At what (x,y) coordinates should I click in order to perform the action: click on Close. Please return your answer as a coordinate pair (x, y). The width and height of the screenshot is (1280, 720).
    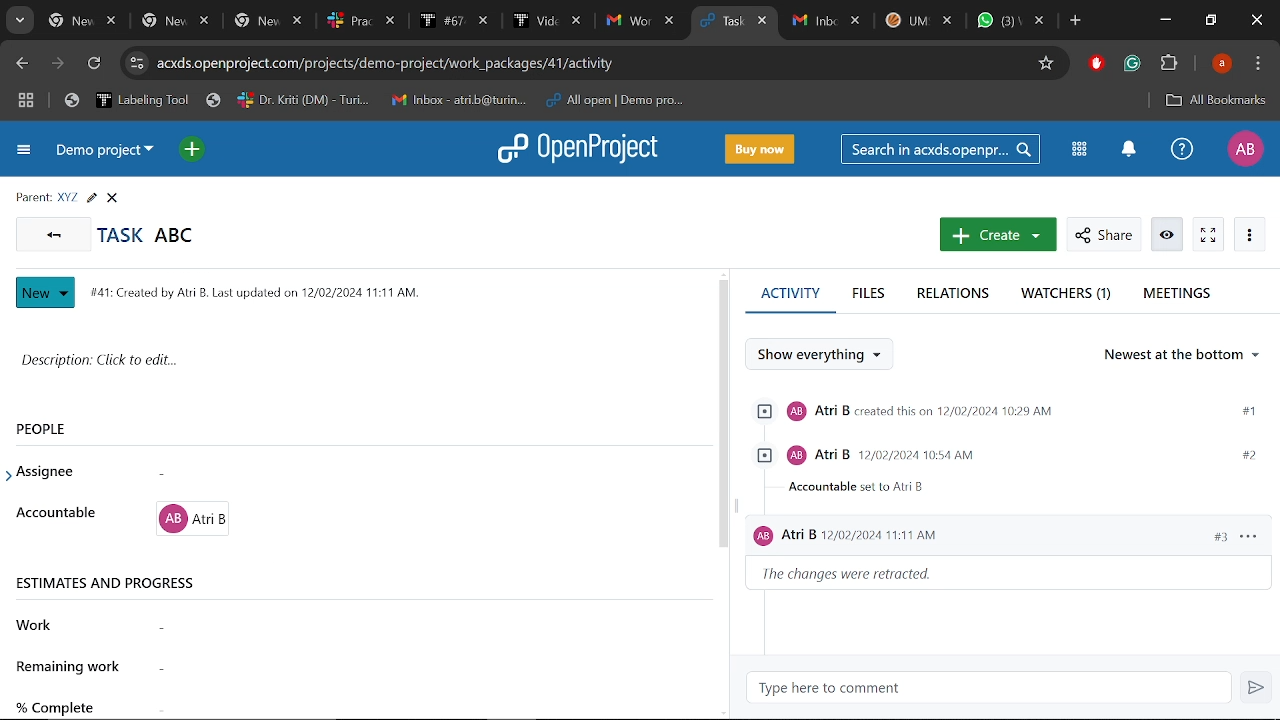
    Looking at the image, I should click on (1254, 20).